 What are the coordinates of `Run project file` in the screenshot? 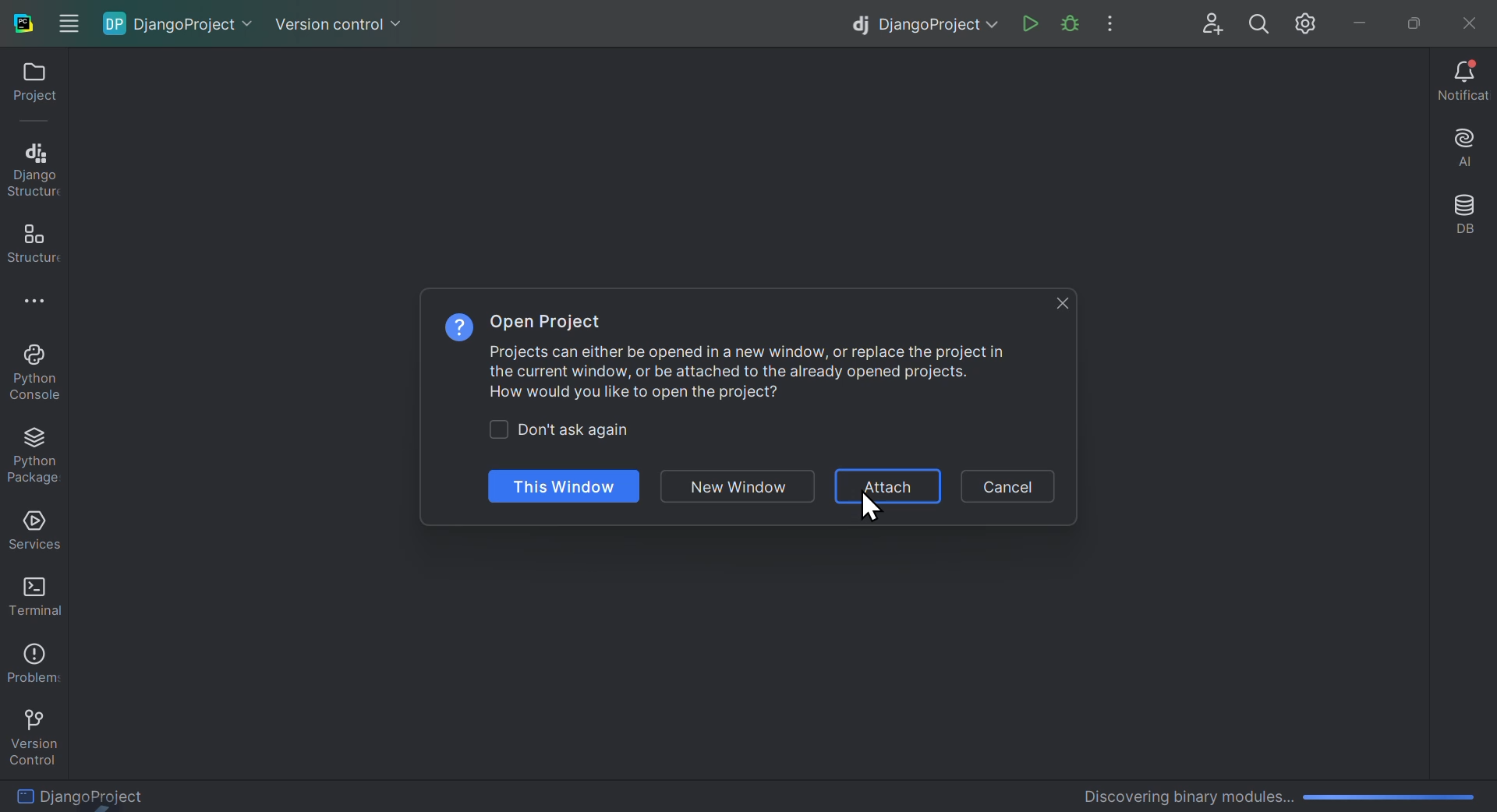 It's located at (1069, 24).